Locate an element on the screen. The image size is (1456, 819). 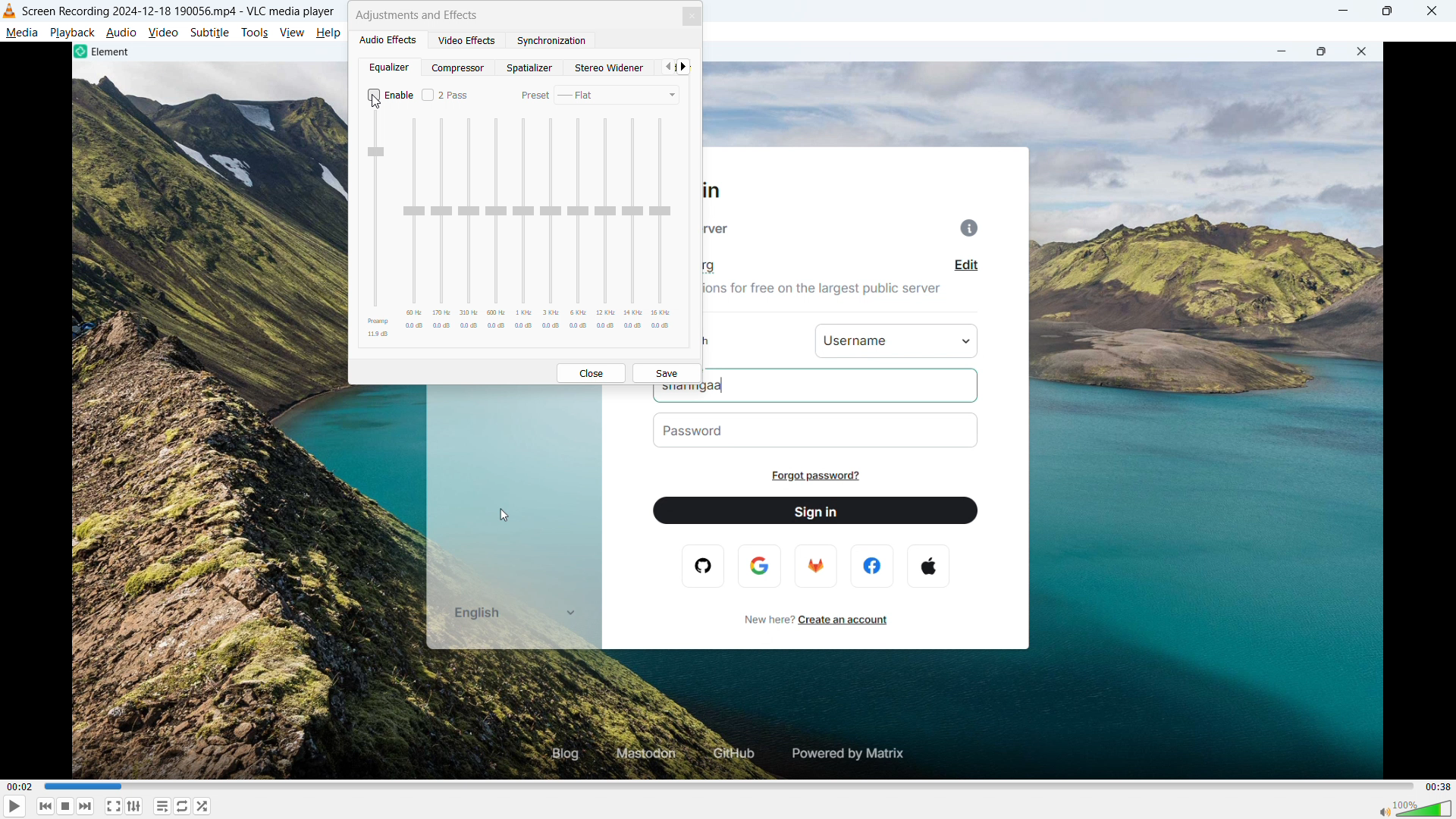
Enable equaliser  is located at coordinates (390, 99).